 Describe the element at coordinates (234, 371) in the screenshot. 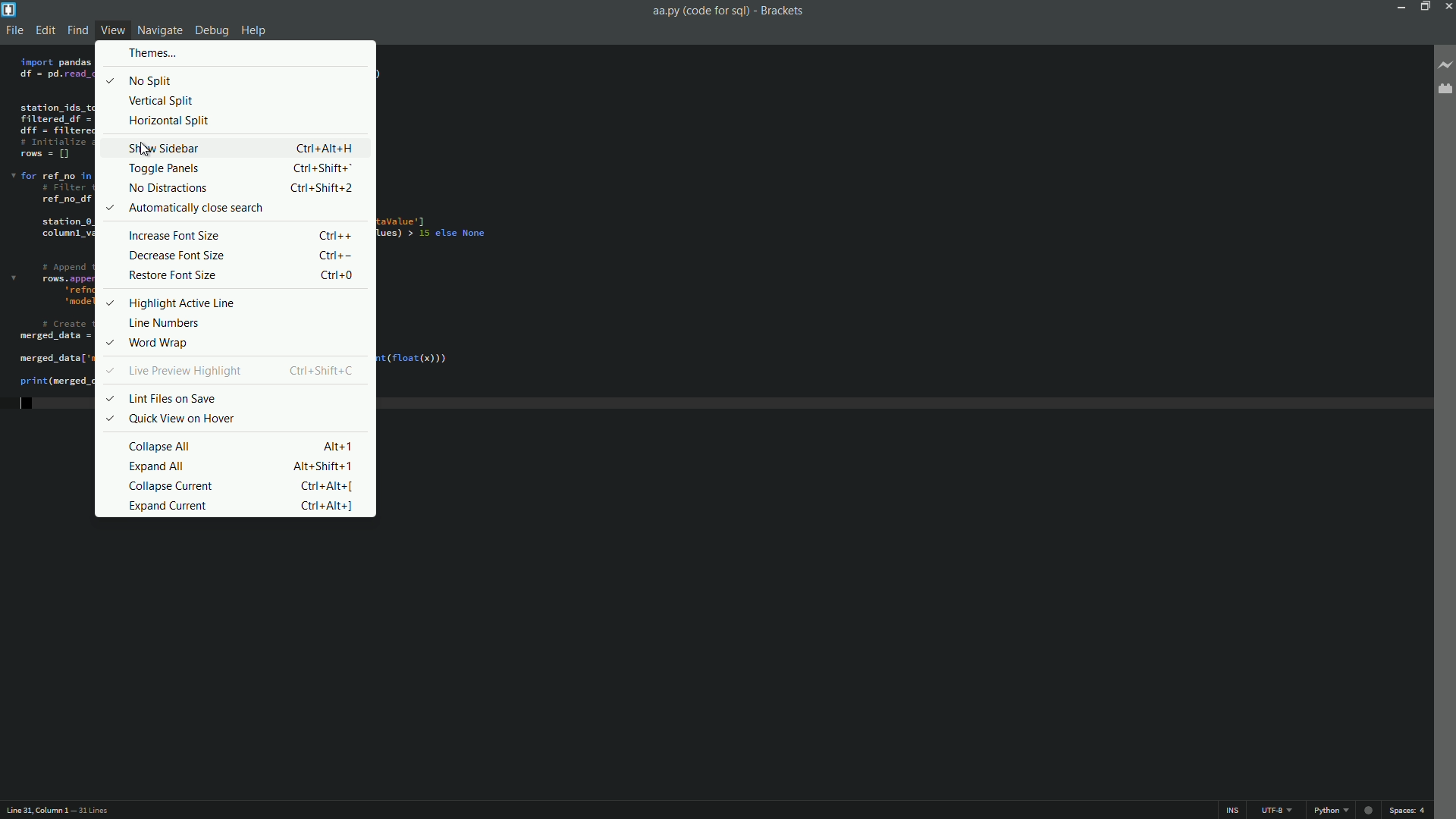

I see `live preview highlight` at that location.